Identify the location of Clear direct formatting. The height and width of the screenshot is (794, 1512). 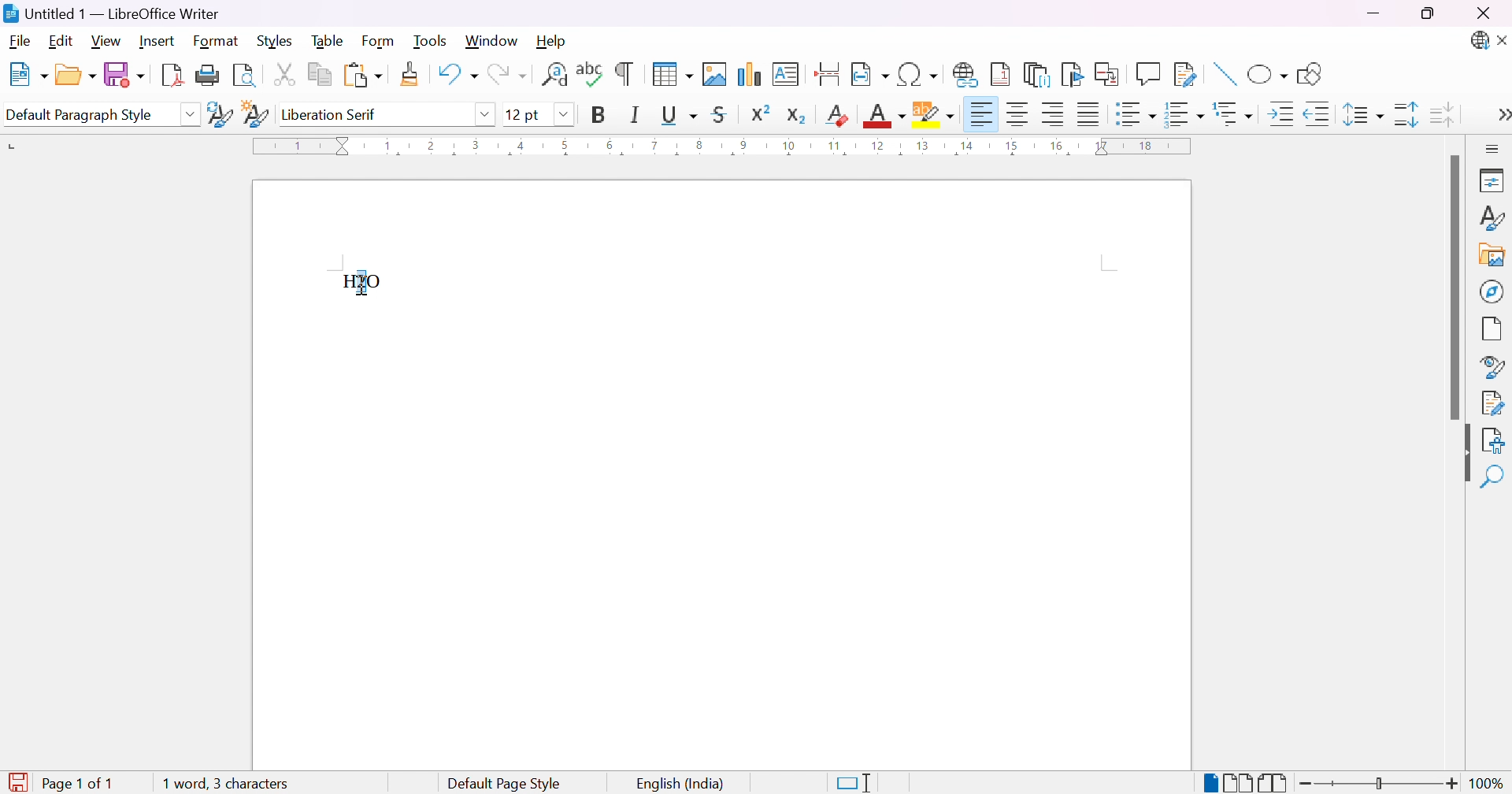
(839, 114).